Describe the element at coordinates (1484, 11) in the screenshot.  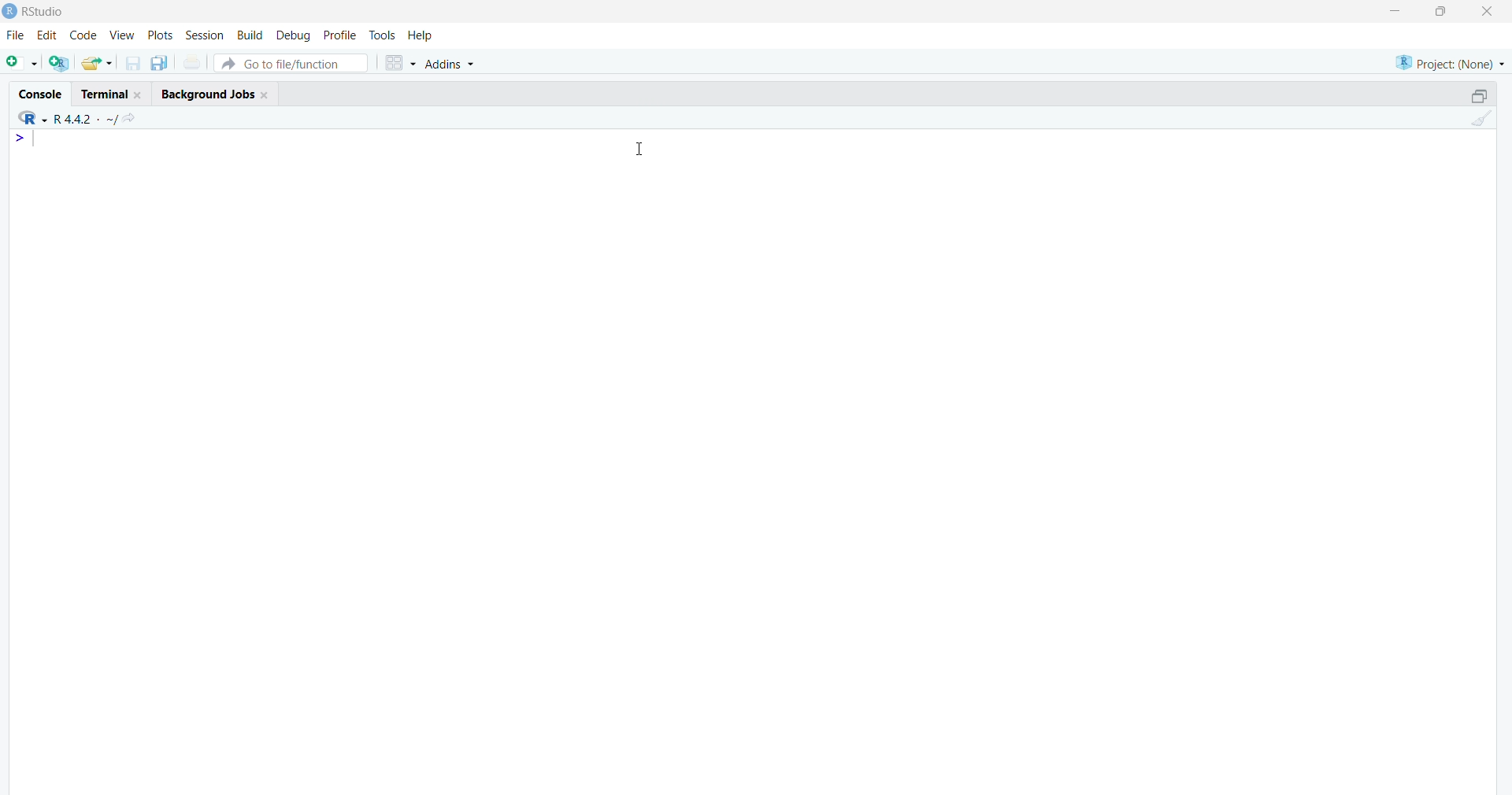
I see `Close` at that location.